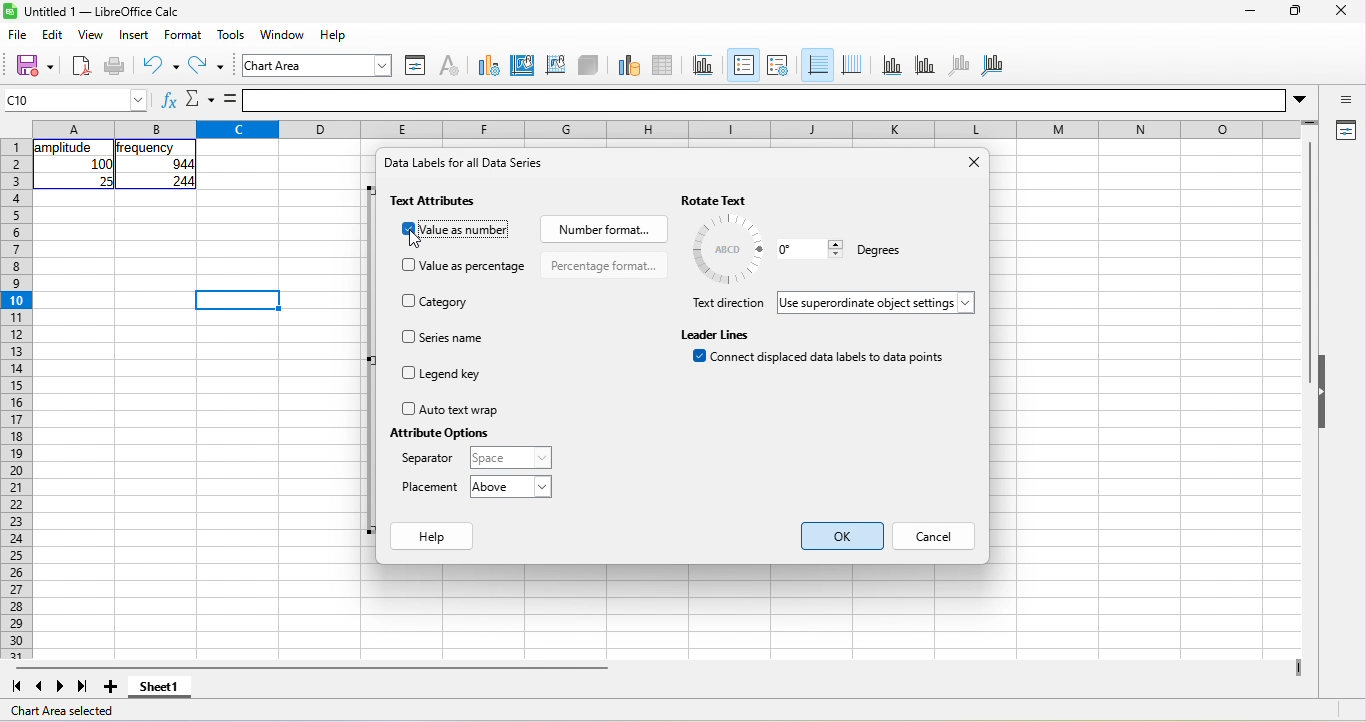  What do you see at coordinates (14, 685) in the screenshot?
I see `first sheet` at bounding box center [14, 685].